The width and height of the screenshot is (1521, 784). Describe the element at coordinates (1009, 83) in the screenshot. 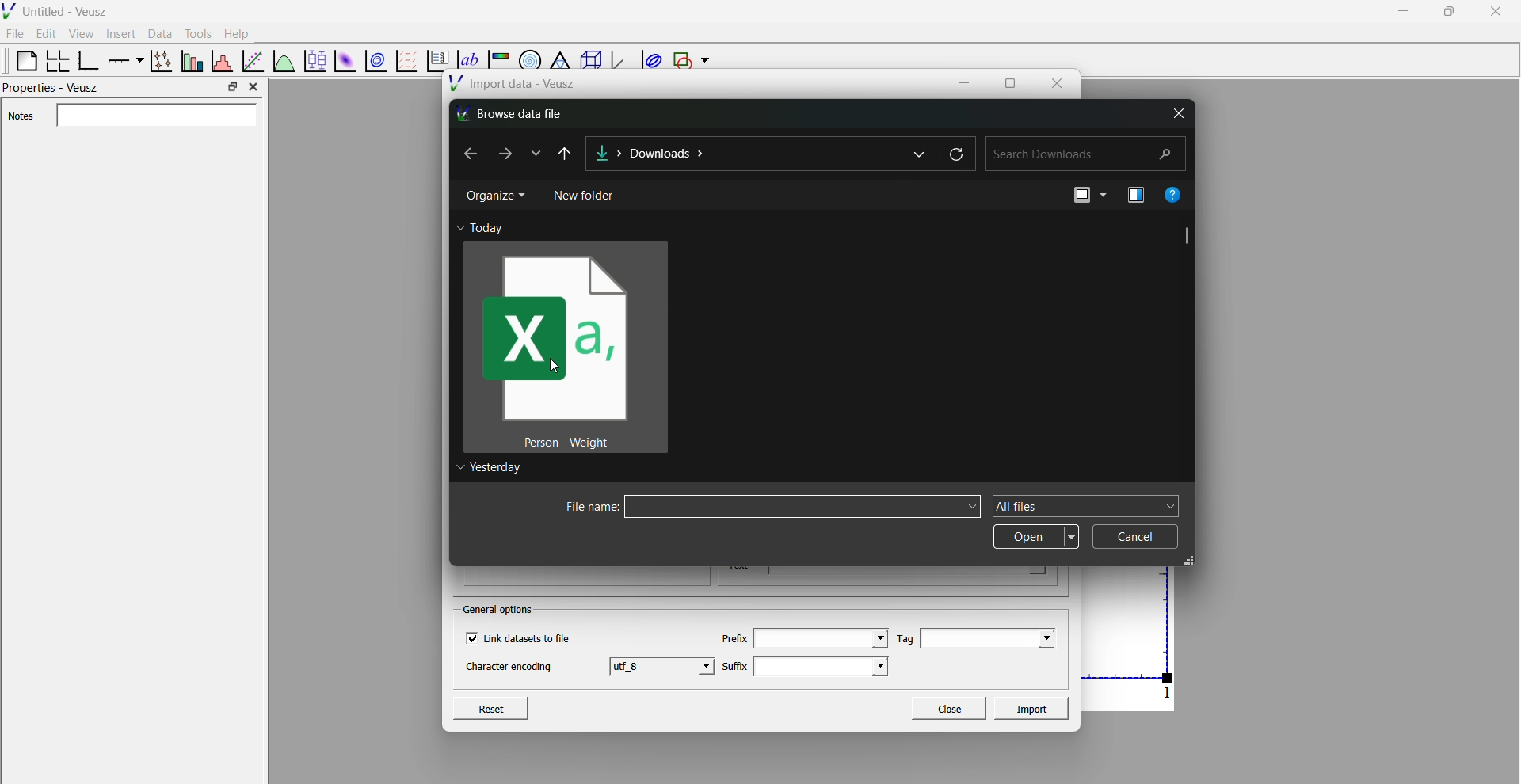

I see `maximize` at that location.